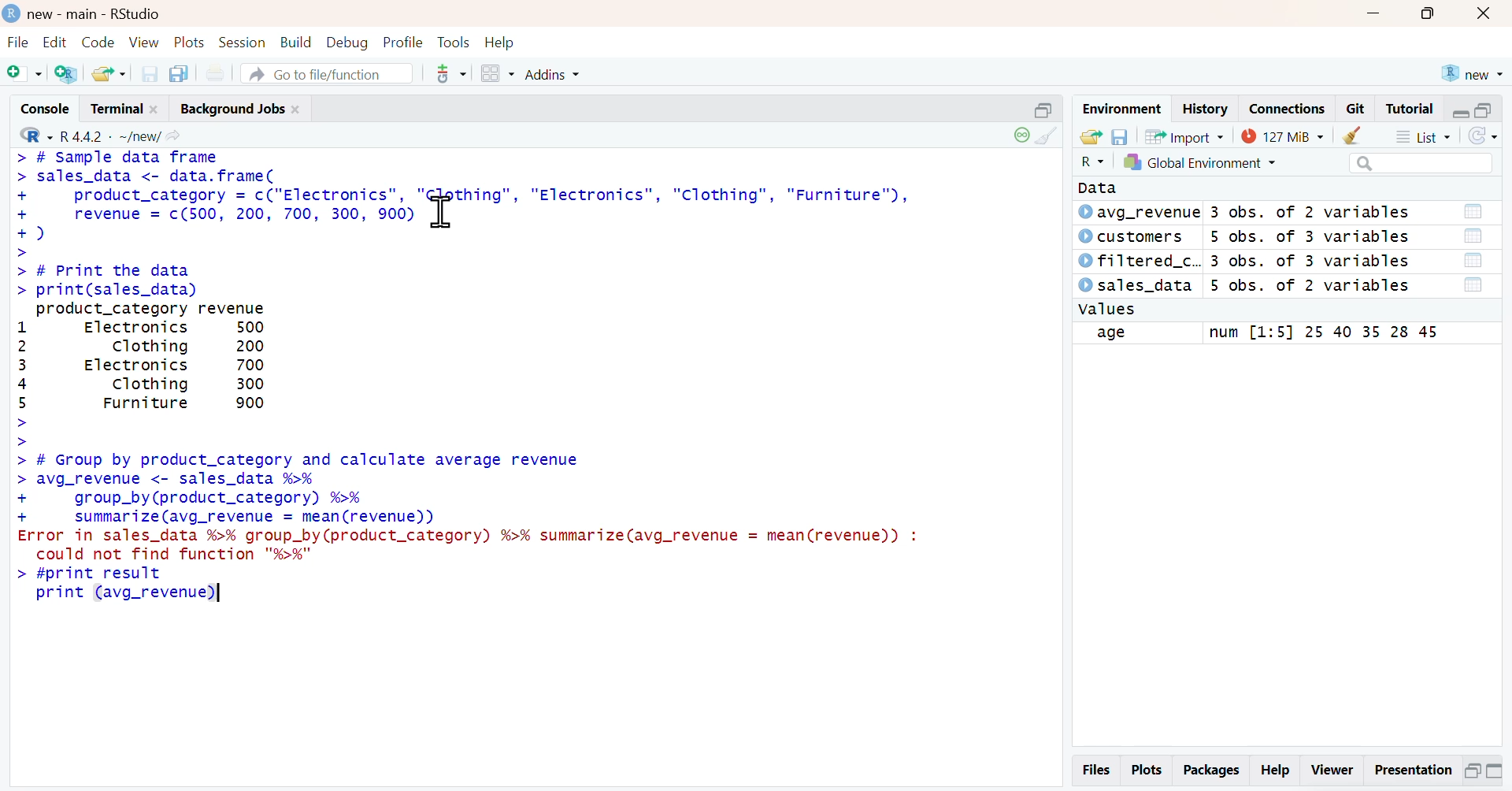  What do you see at coordinates (1091, 162) in the screenshot?
I see `Select Language - R` at bounding box center [1091, 162].